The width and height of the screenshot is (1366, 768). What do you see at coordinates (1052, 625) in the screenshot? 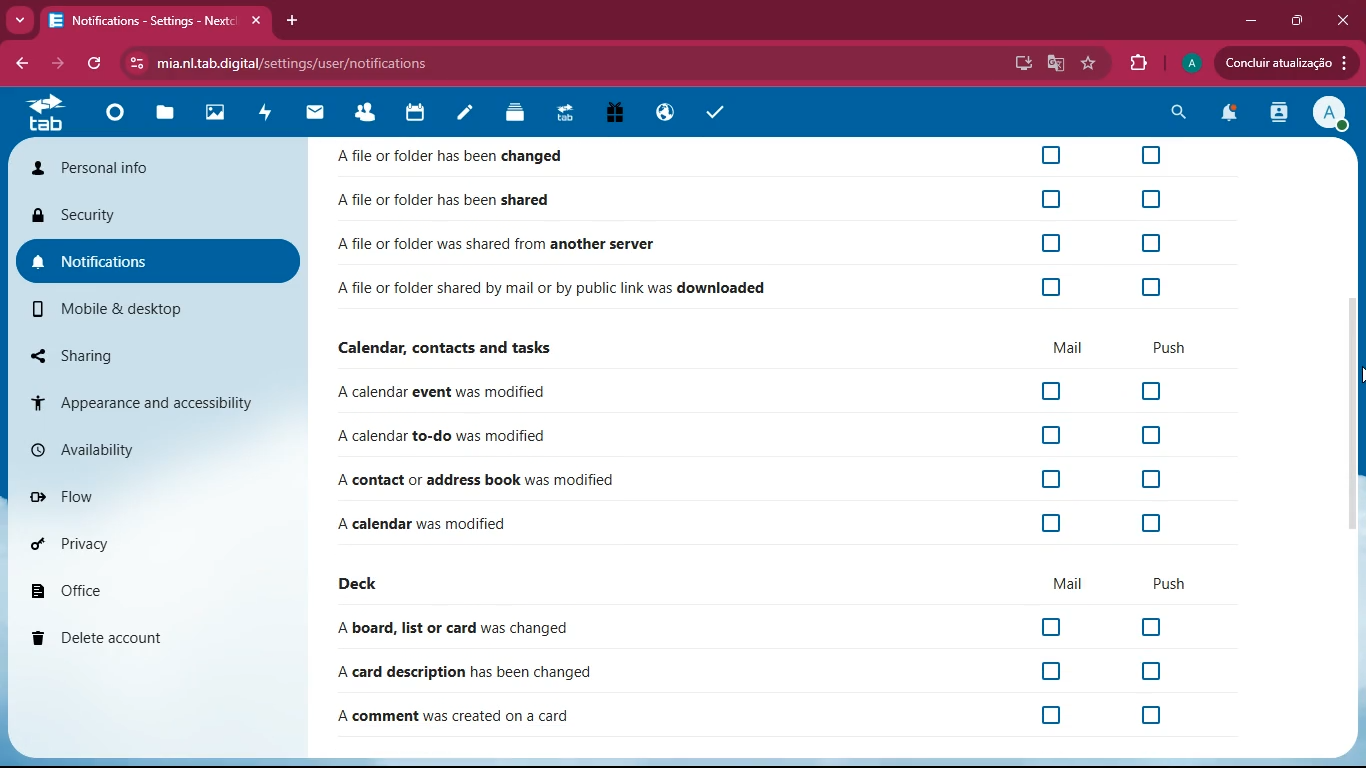
I see `off` at bounding box center [1052, 625].